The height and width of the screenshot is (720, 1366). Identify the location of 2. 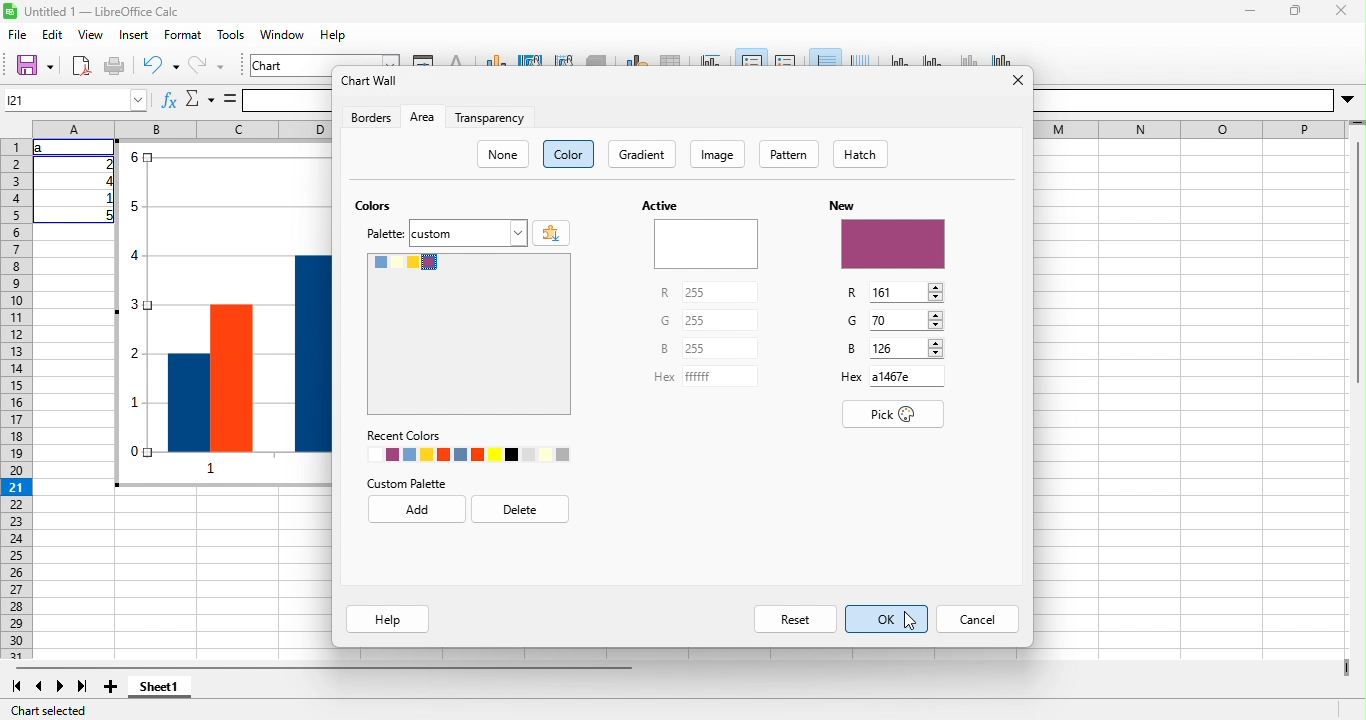
(106, 164).